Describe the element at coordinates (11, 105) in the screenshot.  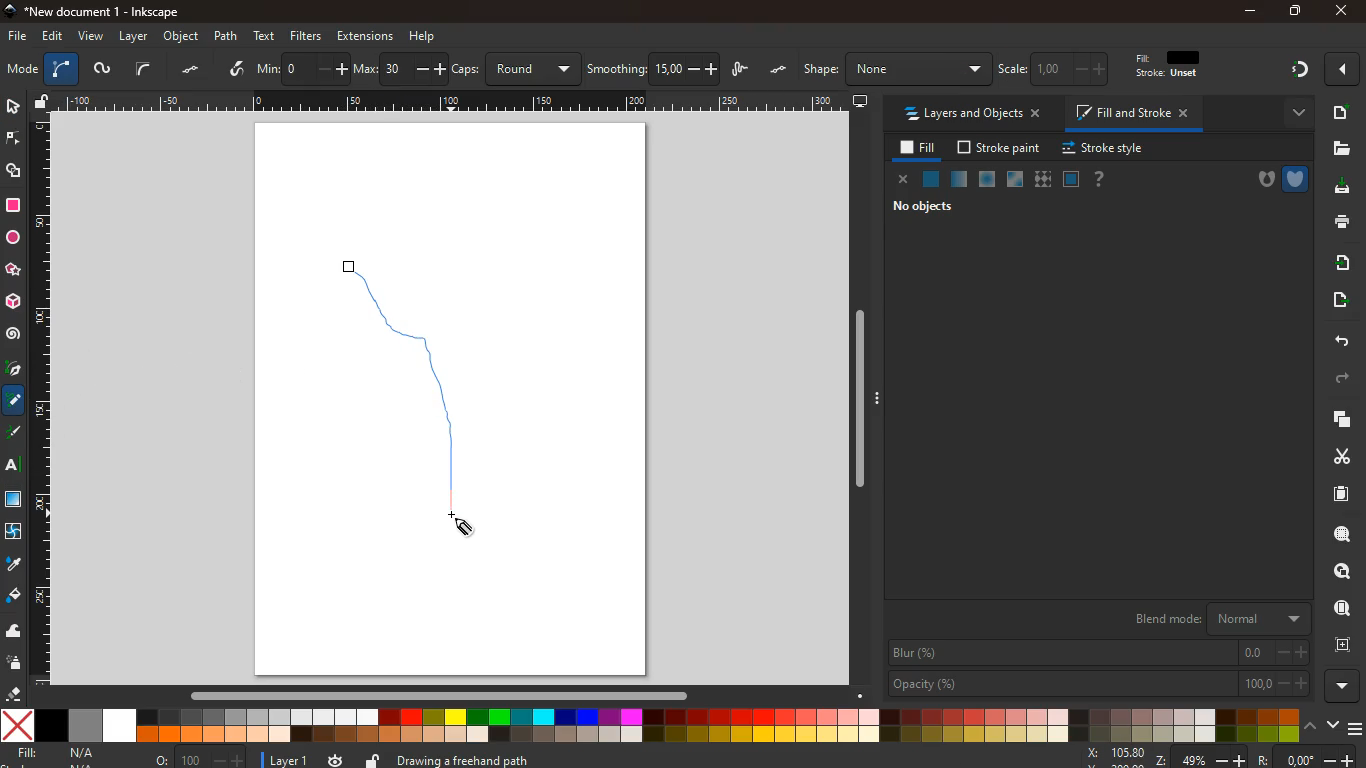
I see `select` at that location.